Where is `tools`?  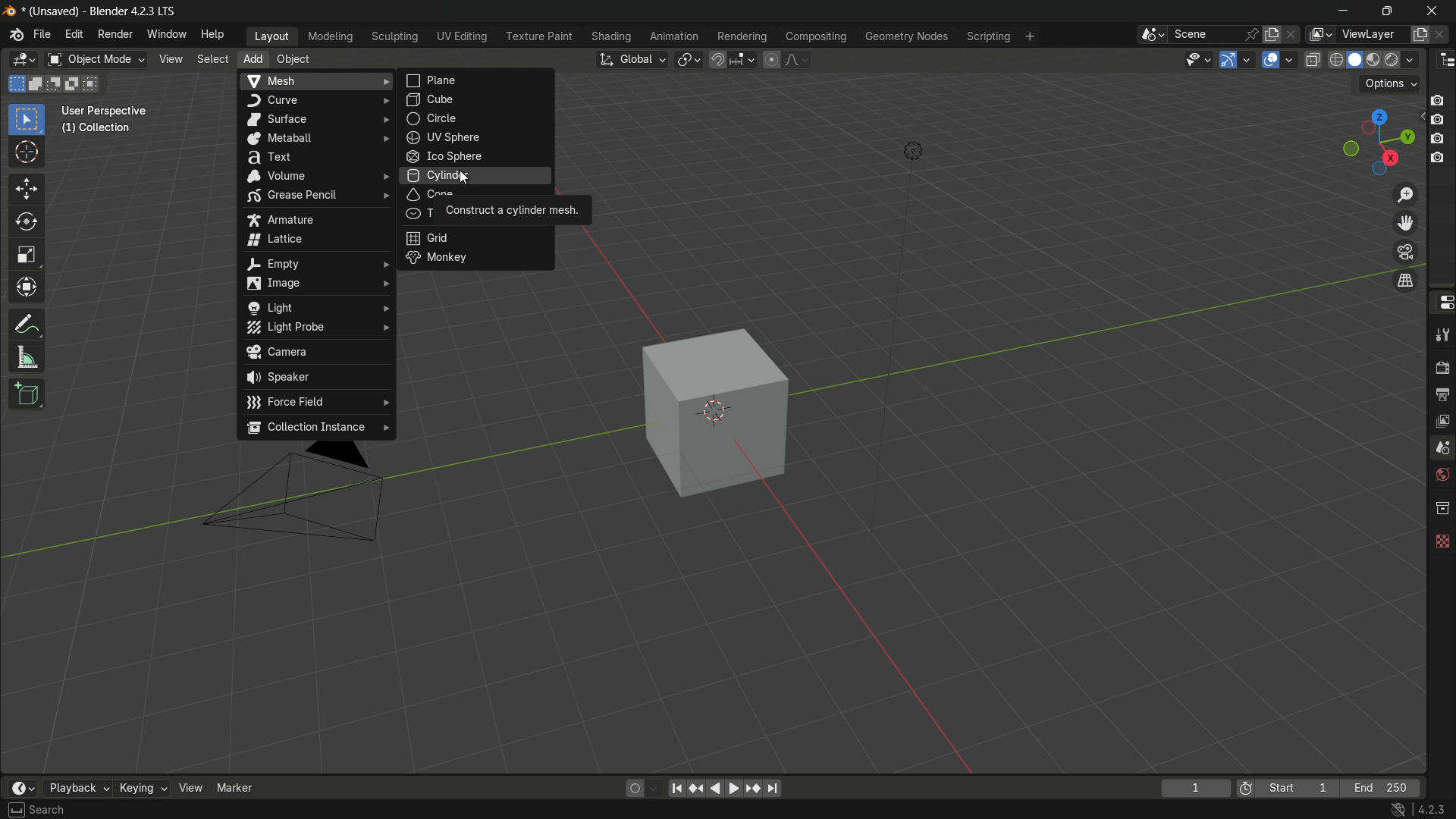 tools is located at coordinates (1441, 332).